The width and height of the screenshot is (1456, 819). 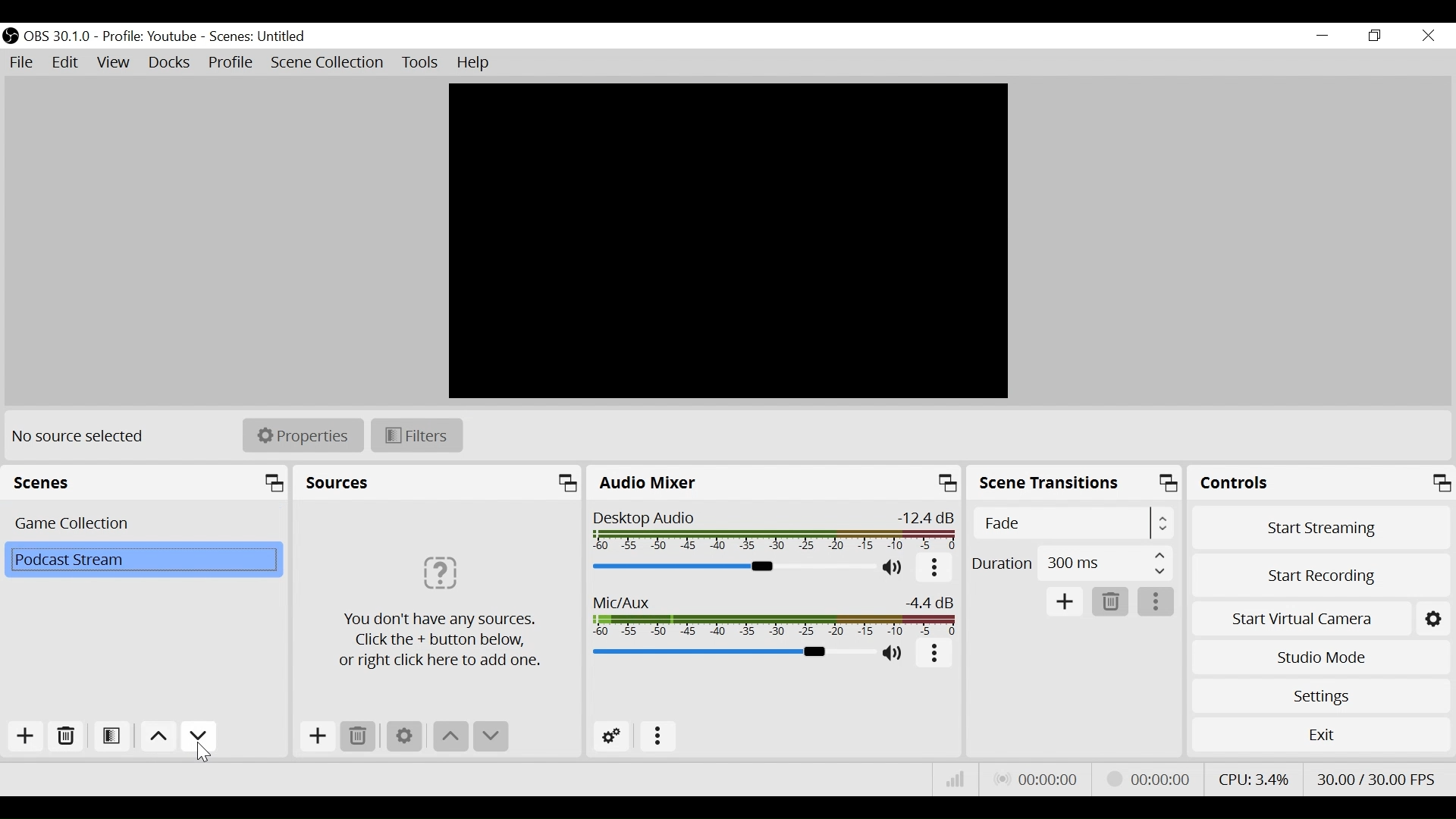 I want to click on Add, so click(x=1065, y=601).